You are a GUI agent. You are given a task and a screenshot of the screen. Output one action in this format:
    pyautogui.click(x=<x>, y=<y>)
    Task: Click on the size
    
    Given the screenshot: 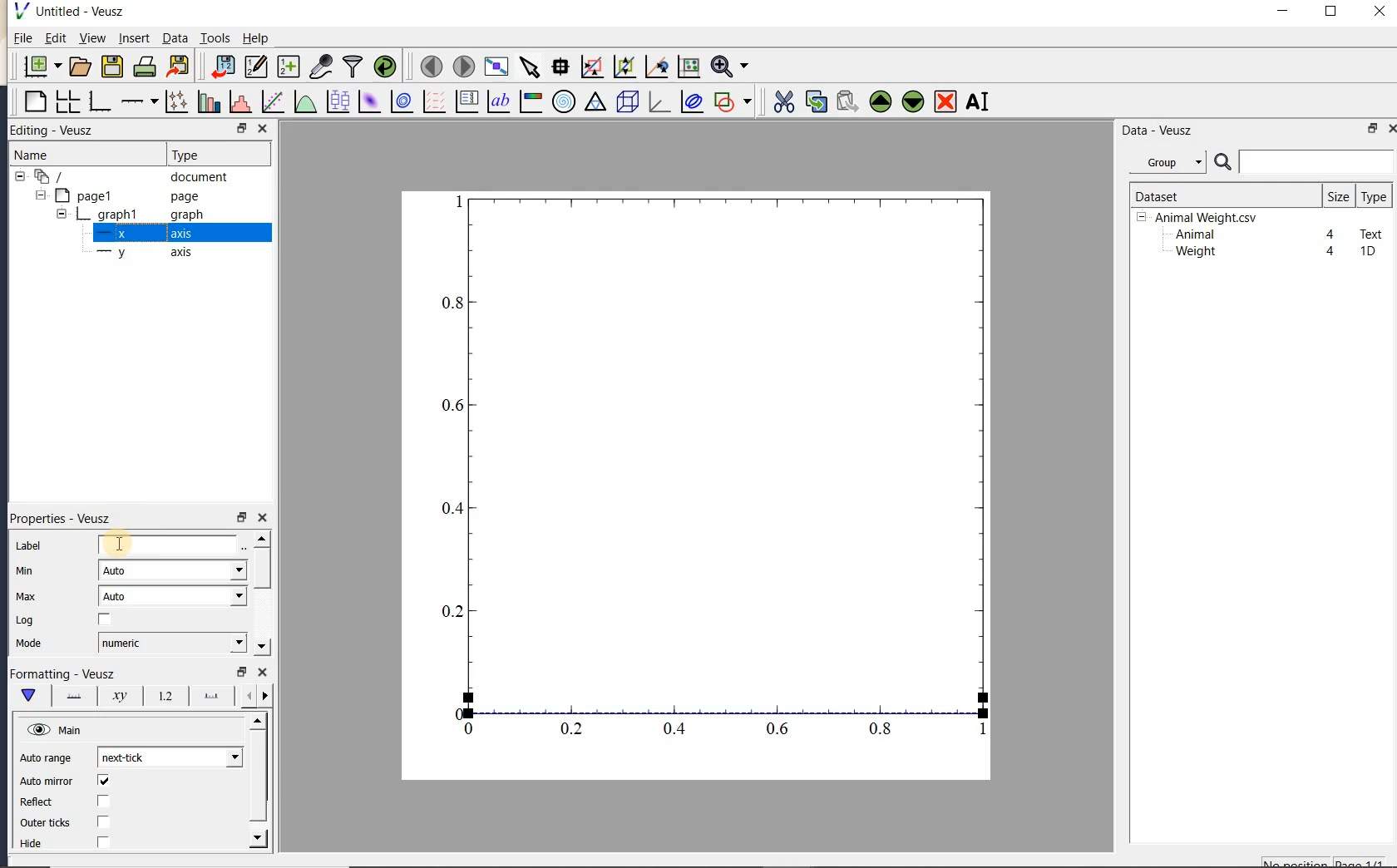 What is the action you would take?
    pyautogui.click(x=1338, y=195)
    